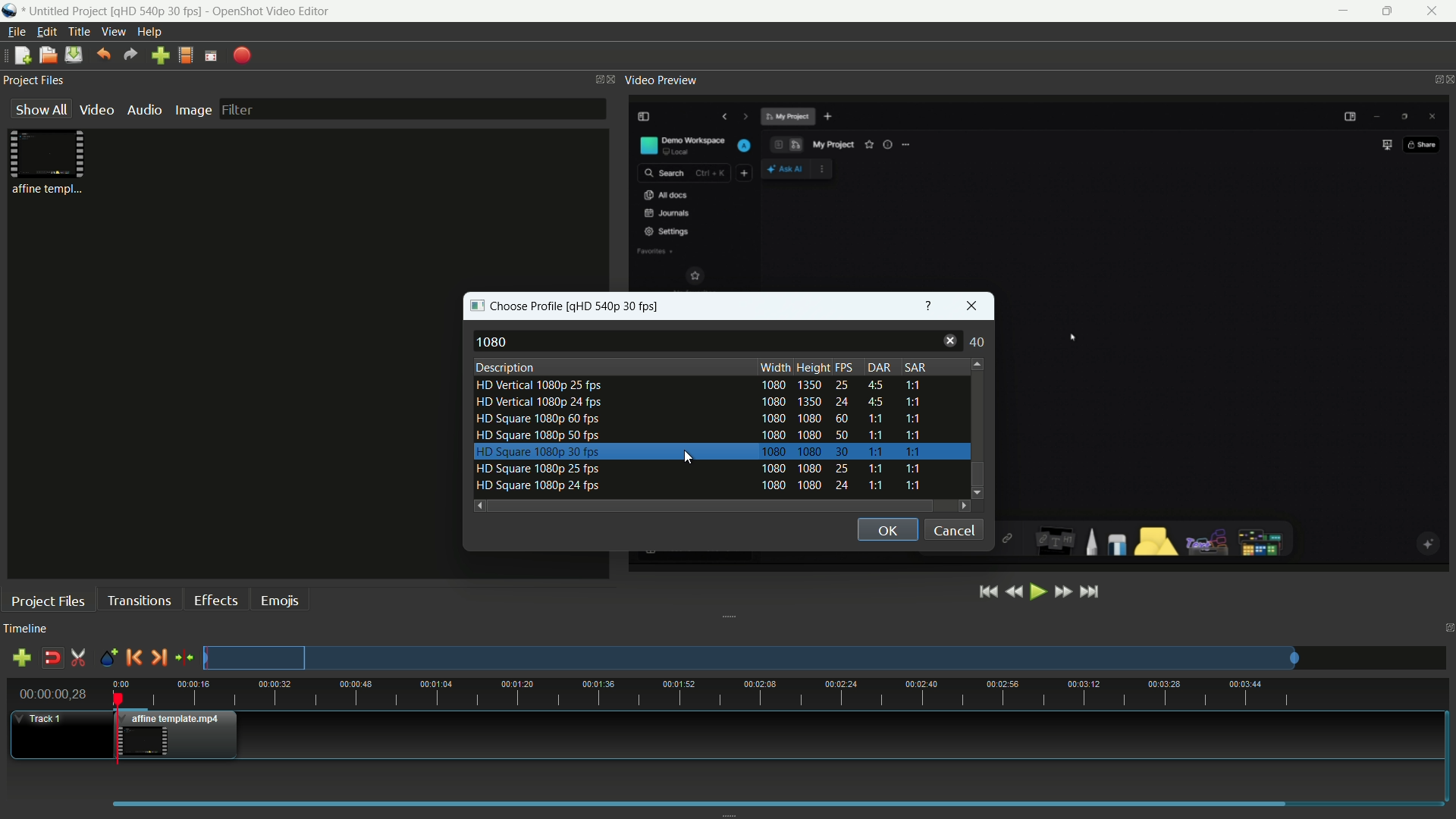  What do you see at coordinates (1343, 11) in the screenshot?
I see `minimize` at bounding box center [1343, 11].